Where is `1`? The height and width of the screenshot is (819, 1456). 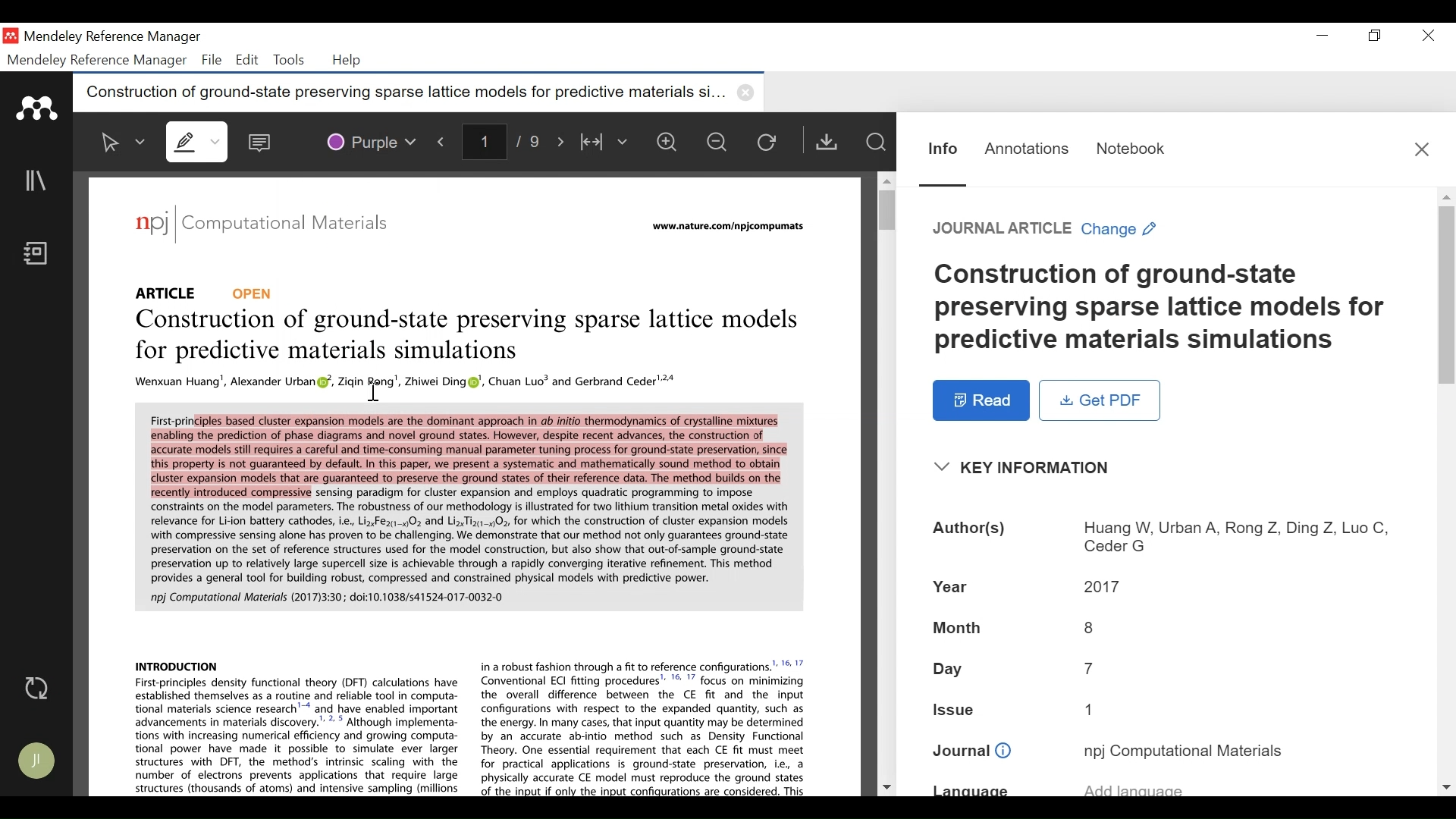
1 is located at coordinates (1092, 709).